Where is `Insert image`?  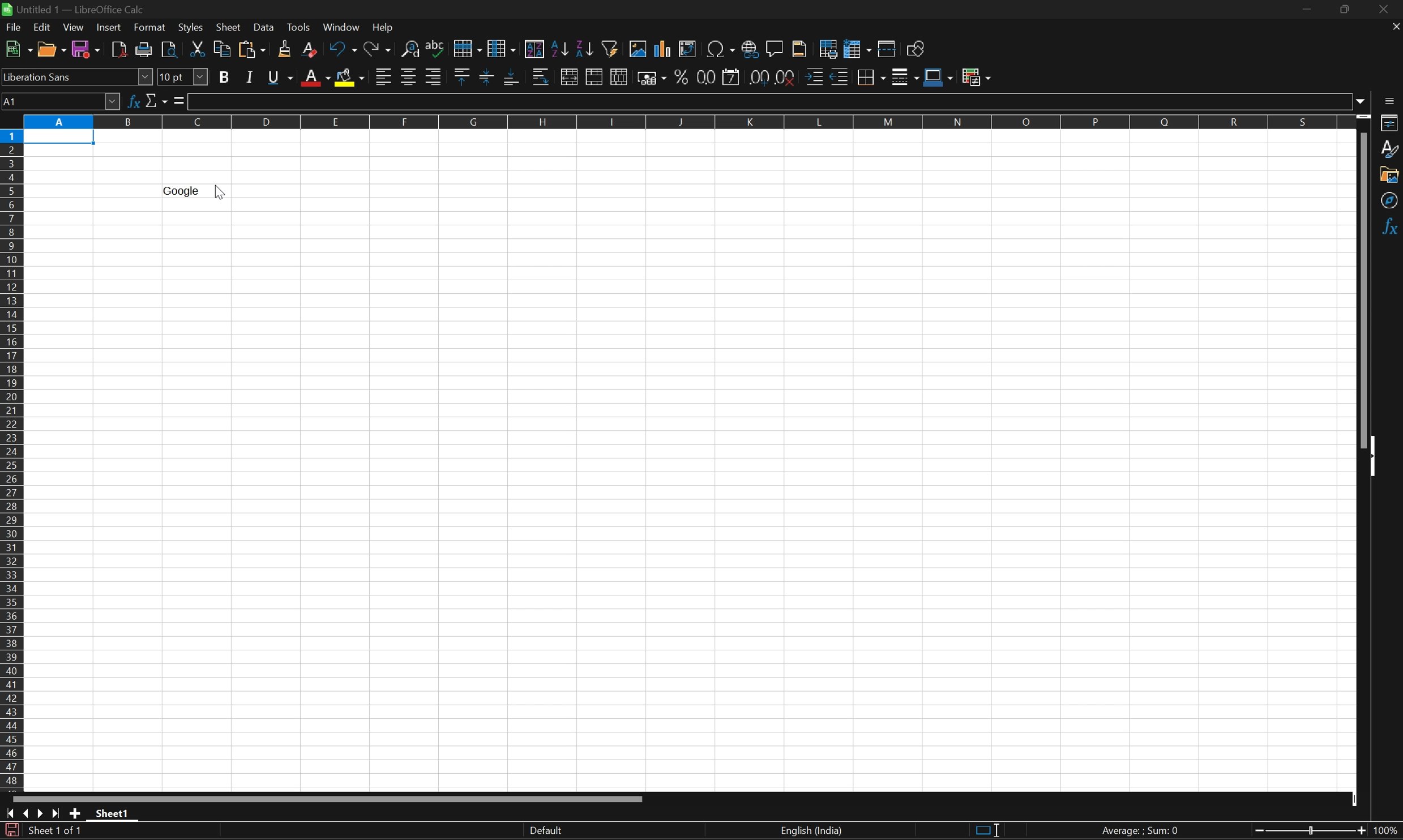
Insert image is located at coordinates (639, 48).